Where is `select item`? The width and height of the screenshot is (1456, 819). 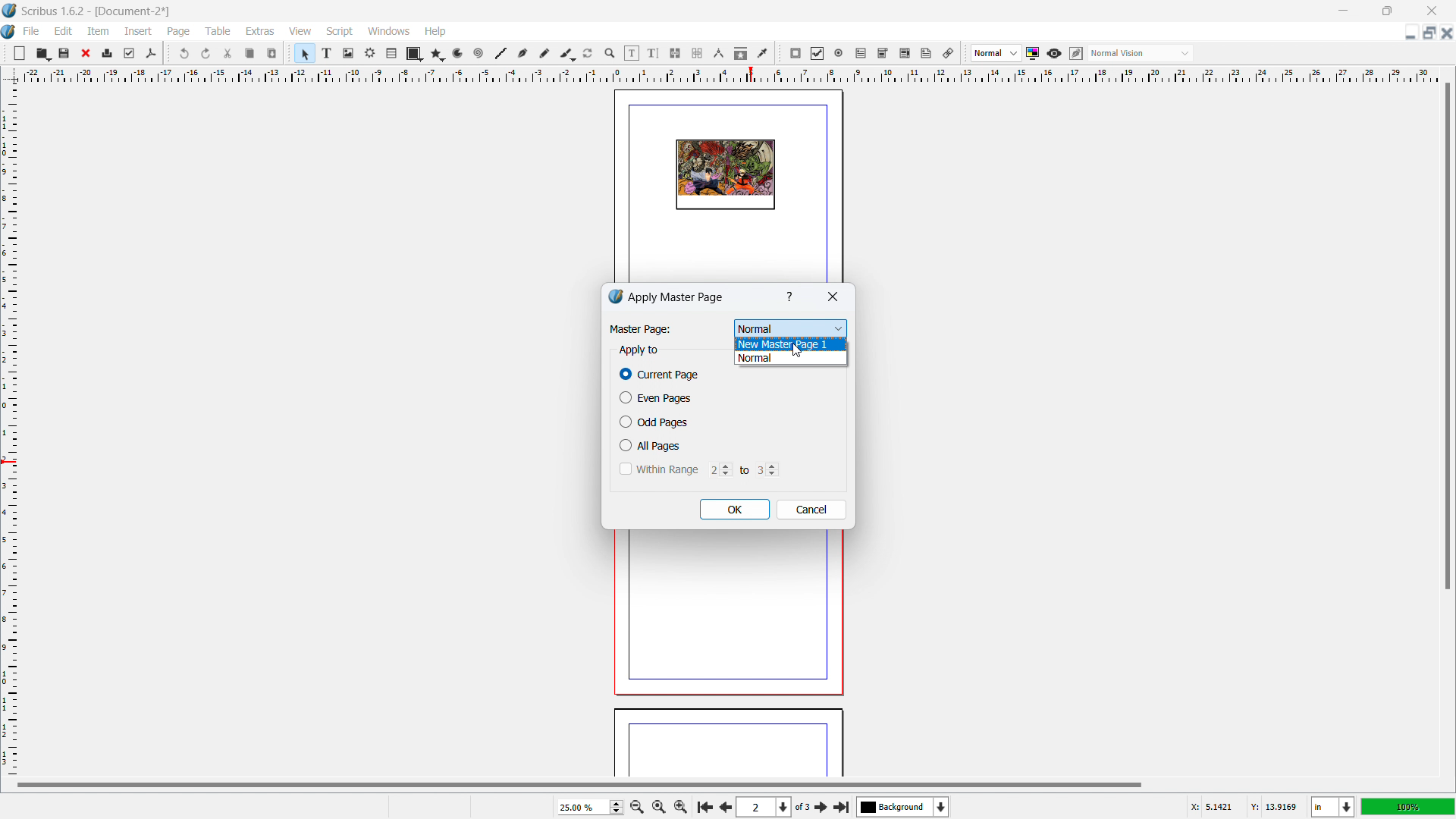 select item is located at coordinates (305, 54).